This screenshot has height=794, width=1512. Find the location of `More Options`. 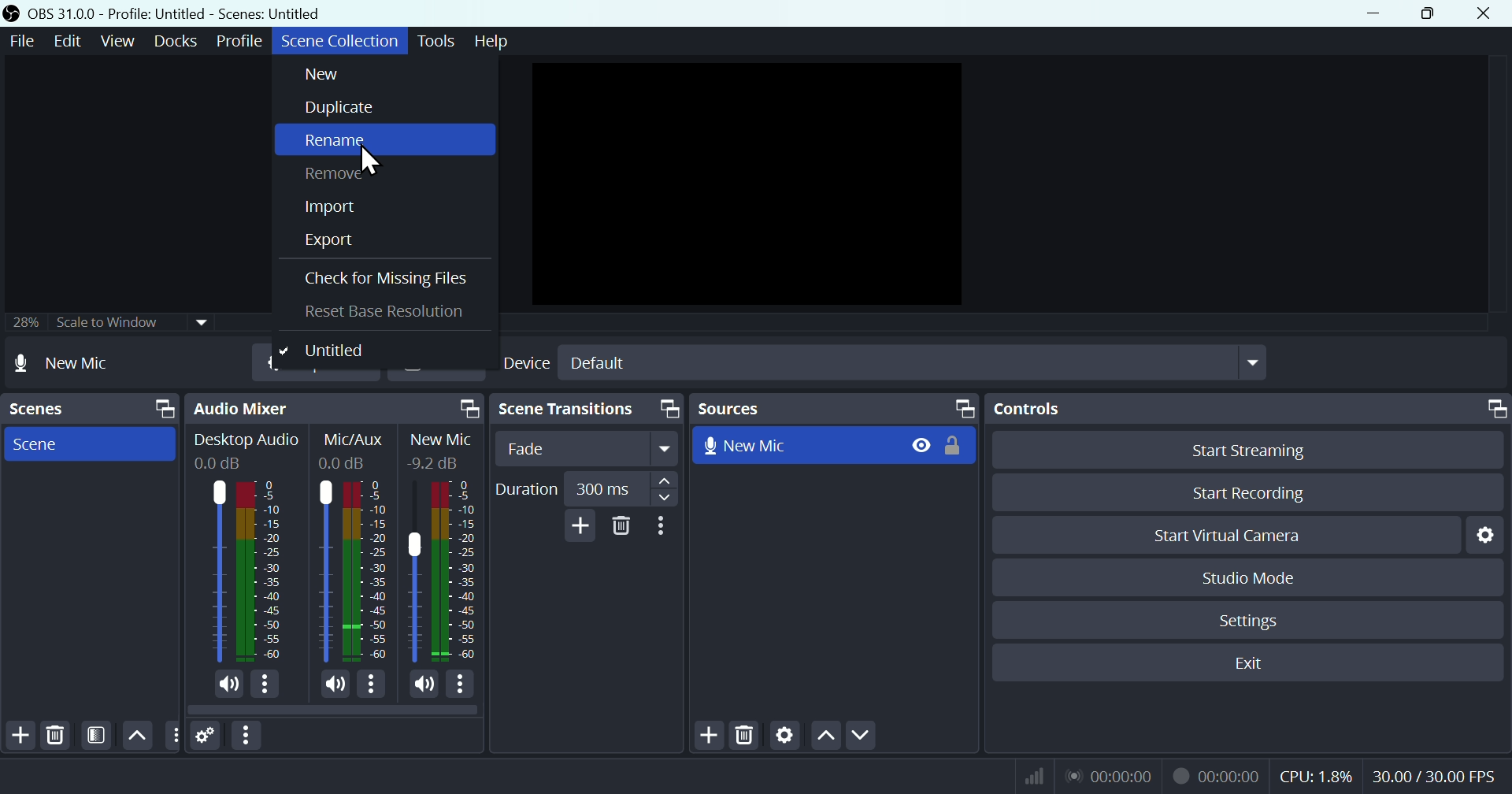

More Options is located at coordinates (373, 684).